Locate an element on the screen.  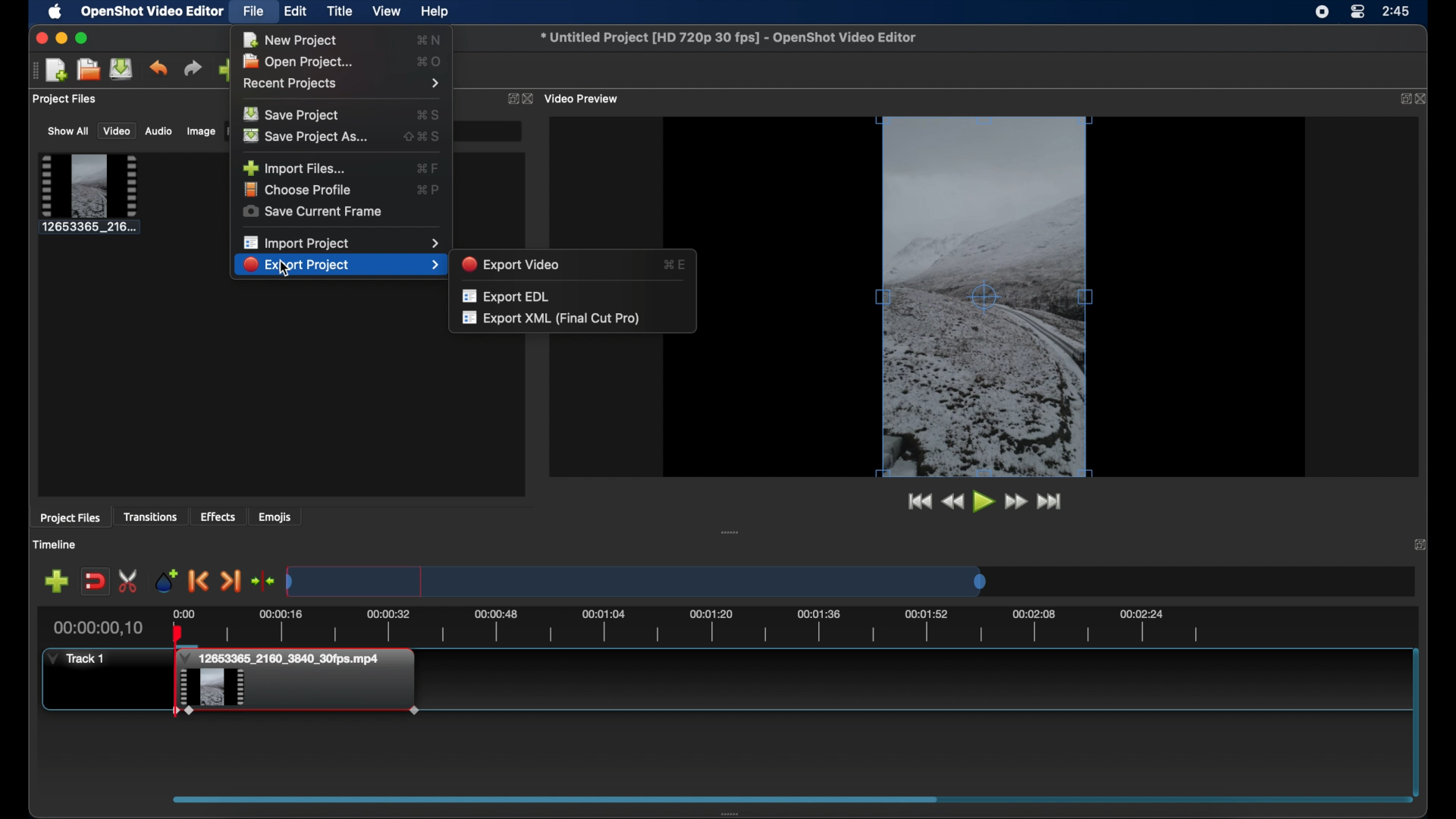
add marker is located at coordinates (166, 579).